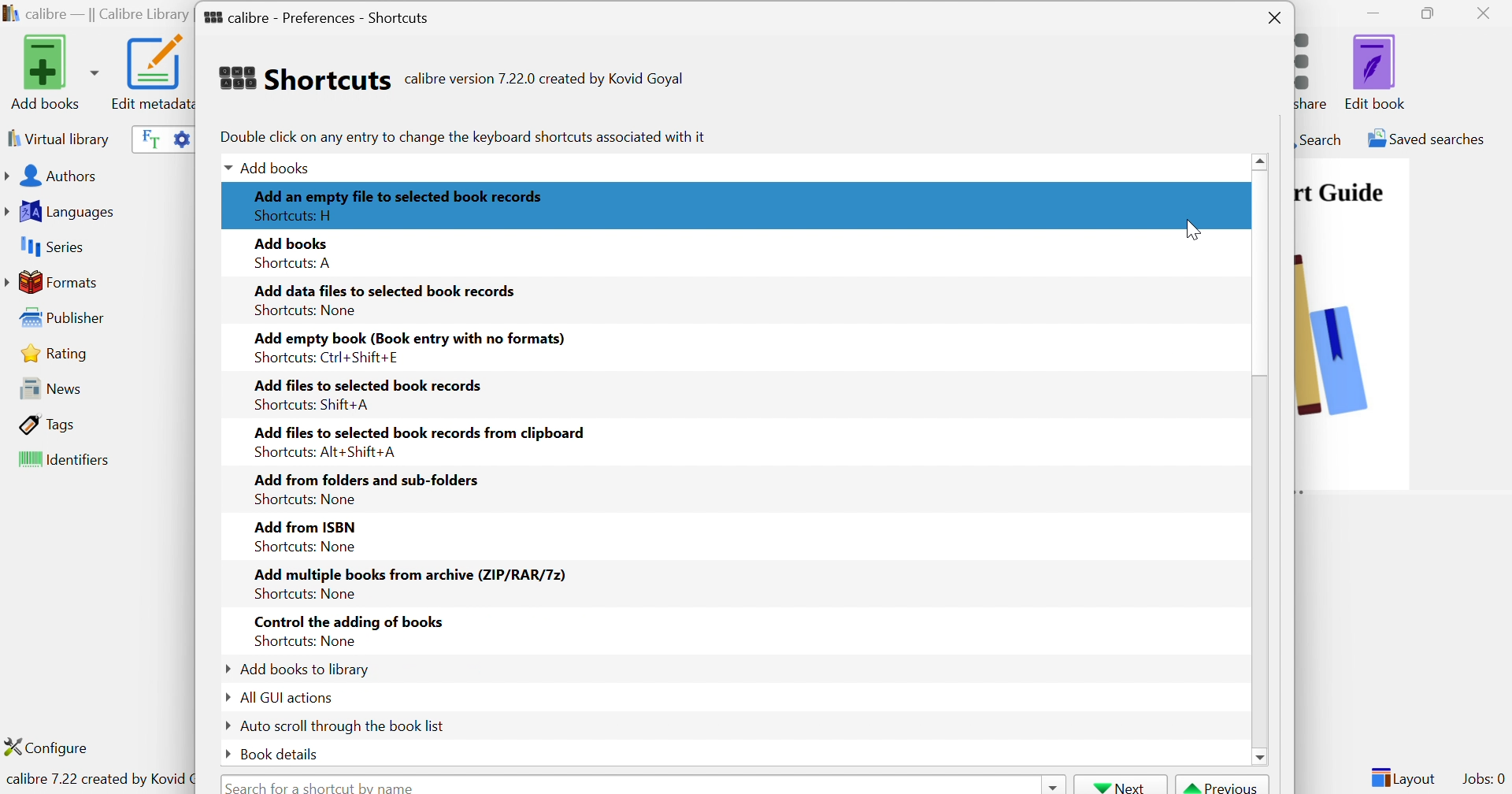  What do you see at coordinates (406, 336) in the screenshot?
I see `Add empty book (Book entry with no formats)` at bounding box center [406, 336].